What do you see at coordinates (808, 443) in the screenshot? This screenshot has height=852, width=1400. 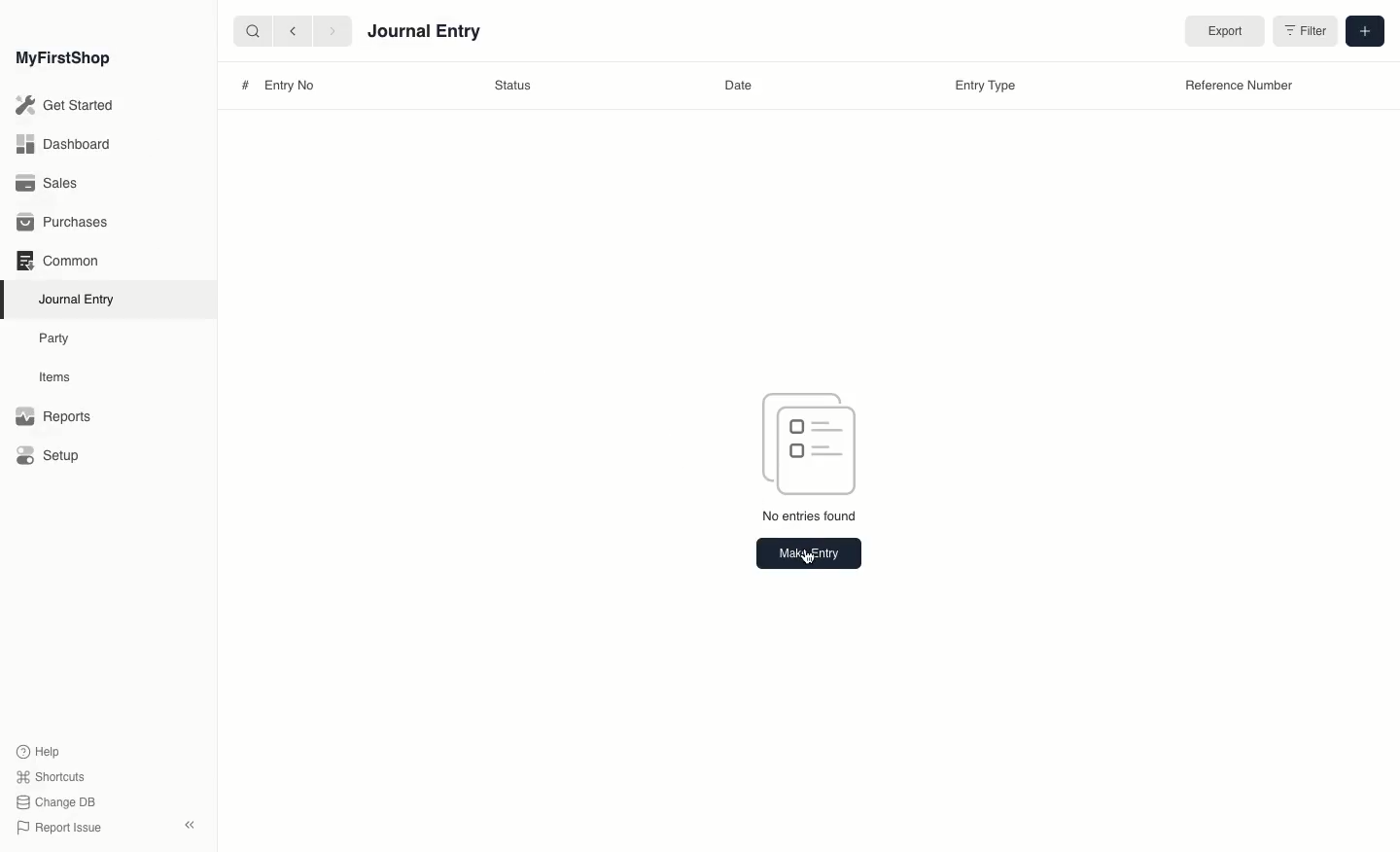 I see `Emblem` at bounding box center [808, 443].